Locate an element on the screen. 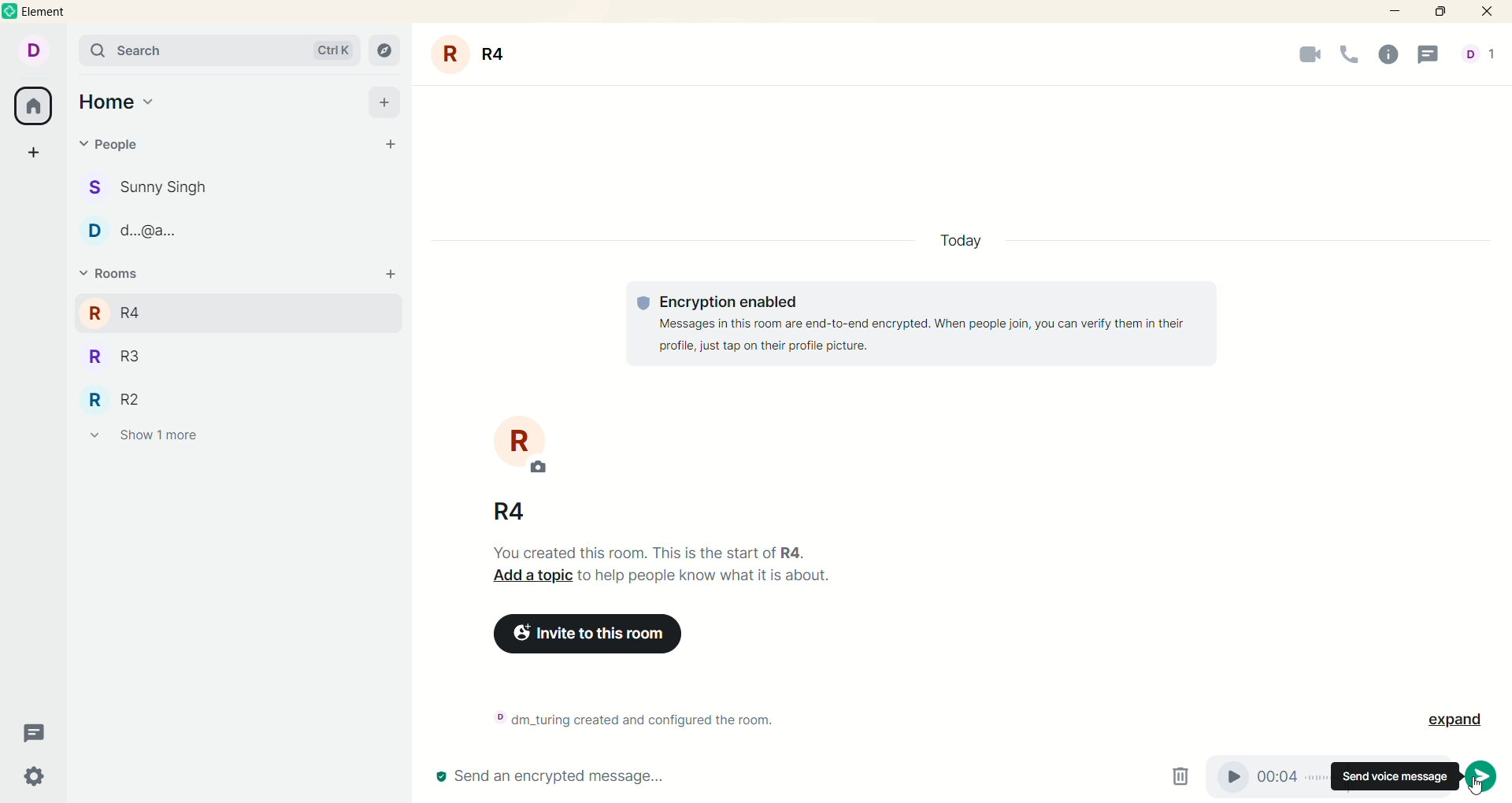 The width and height of the screenshot is (1512, 803). account is located at coordinates (39, 52).